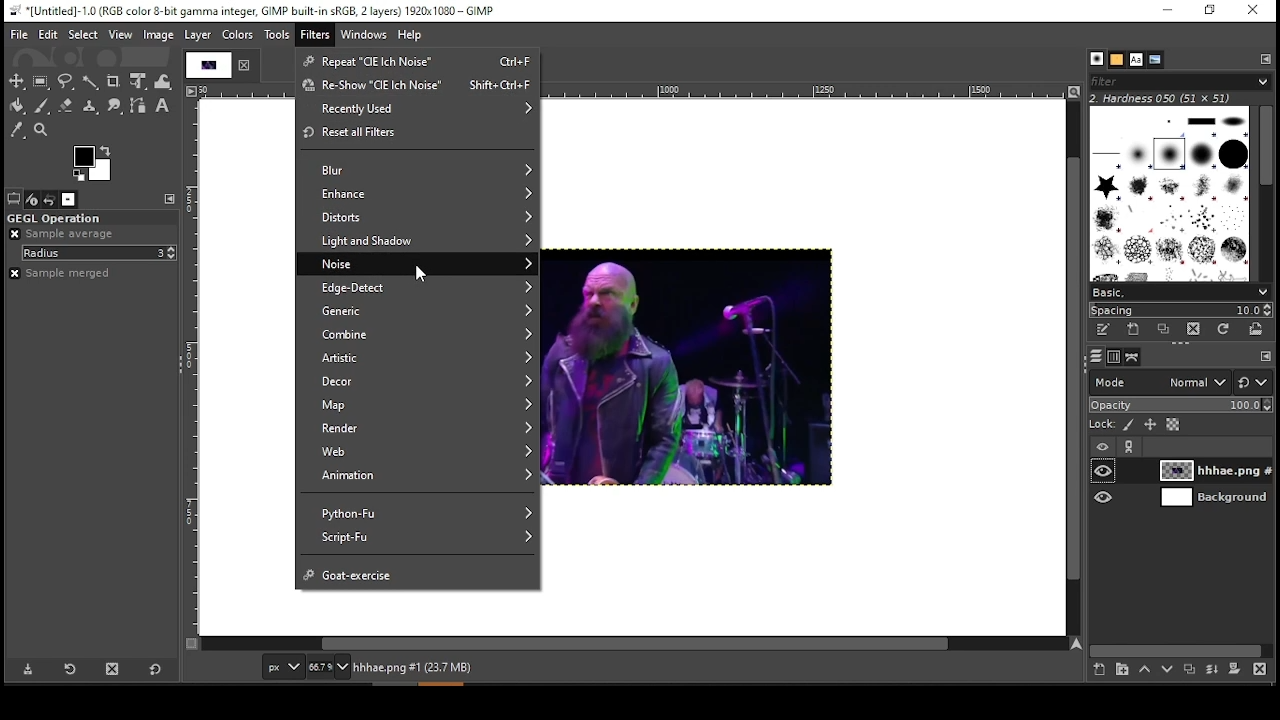 Image resolution: width=1280 pixels, height=720 pixels. Describe the element at coordinates (1134, 356) in the screenshot. I see `paths` at that location.